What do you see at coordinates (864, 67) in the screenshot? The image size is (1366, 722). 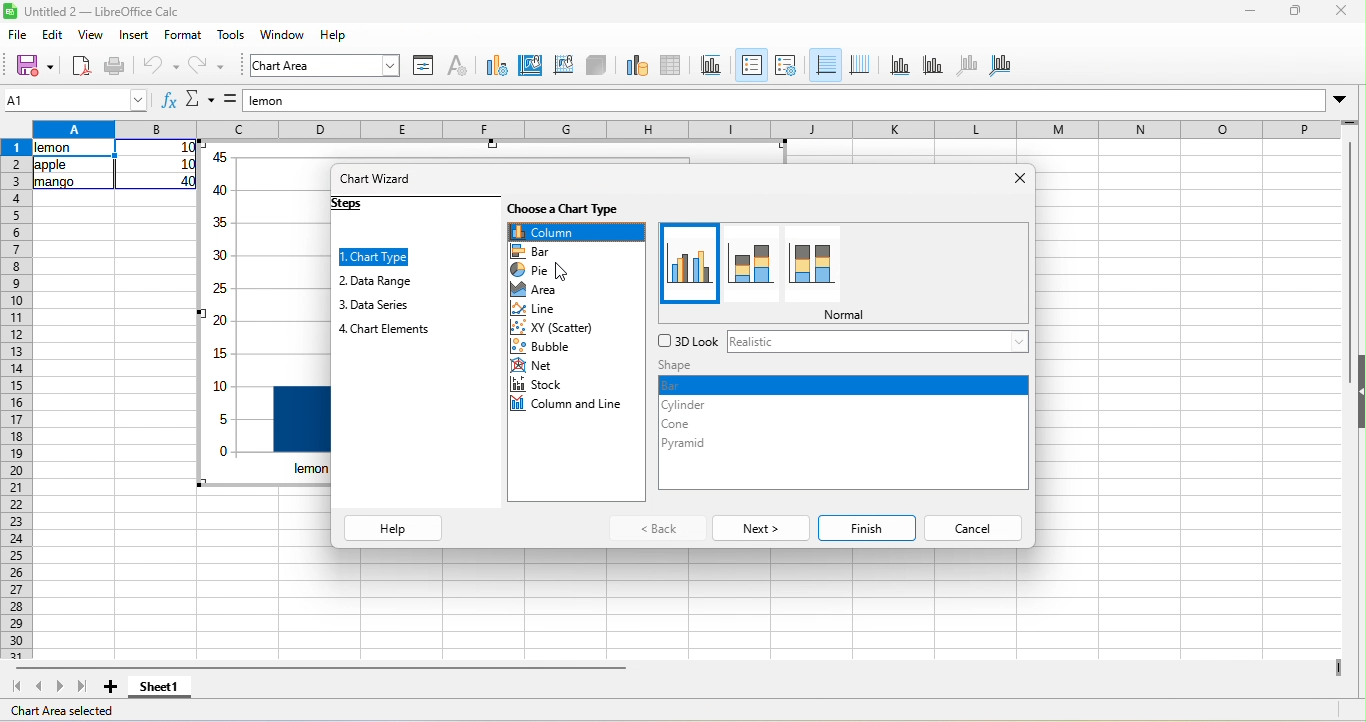 I see `vertical grid` at bounding box center [864, 67].